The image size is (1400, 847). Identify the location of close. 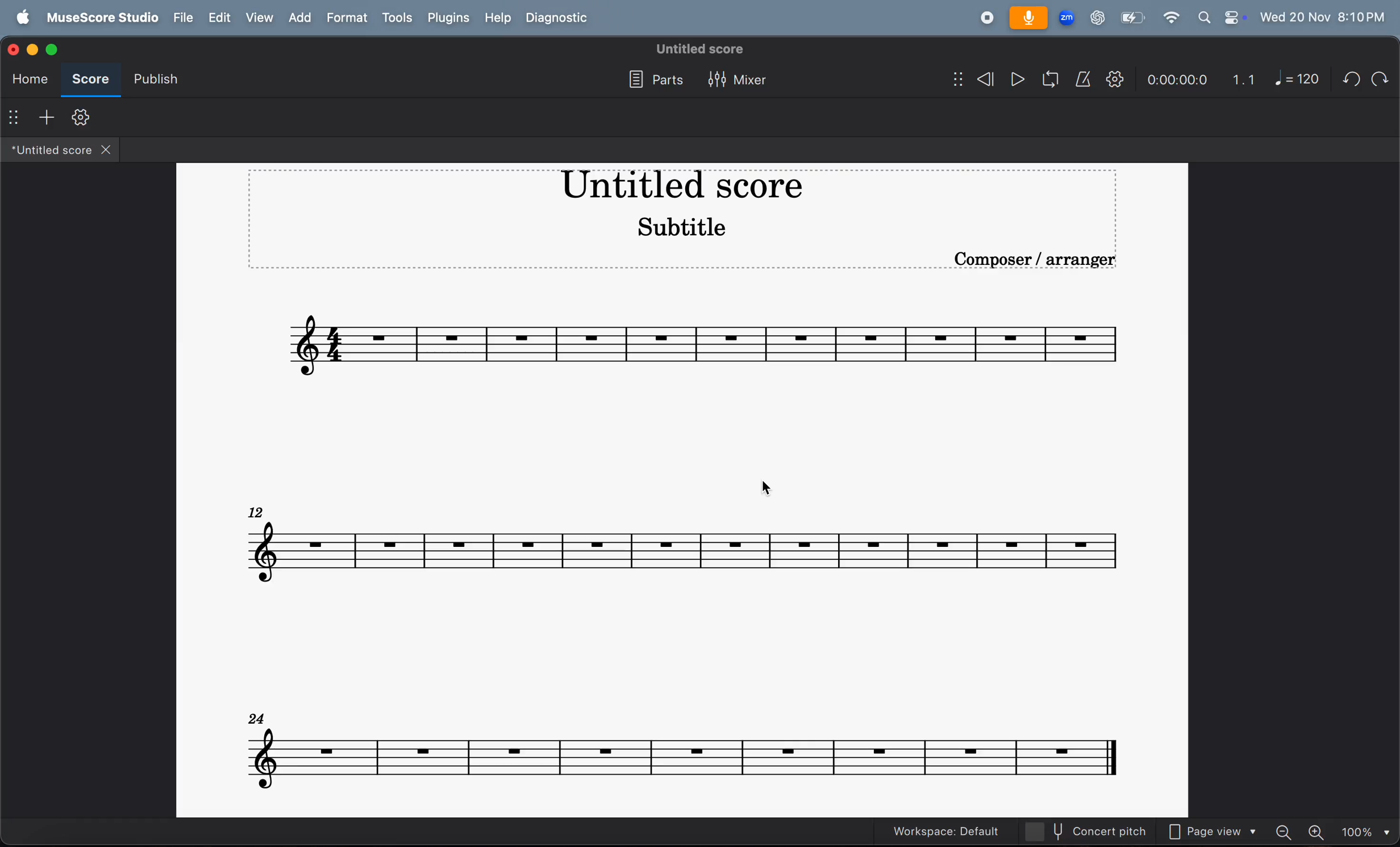
(15, 52).